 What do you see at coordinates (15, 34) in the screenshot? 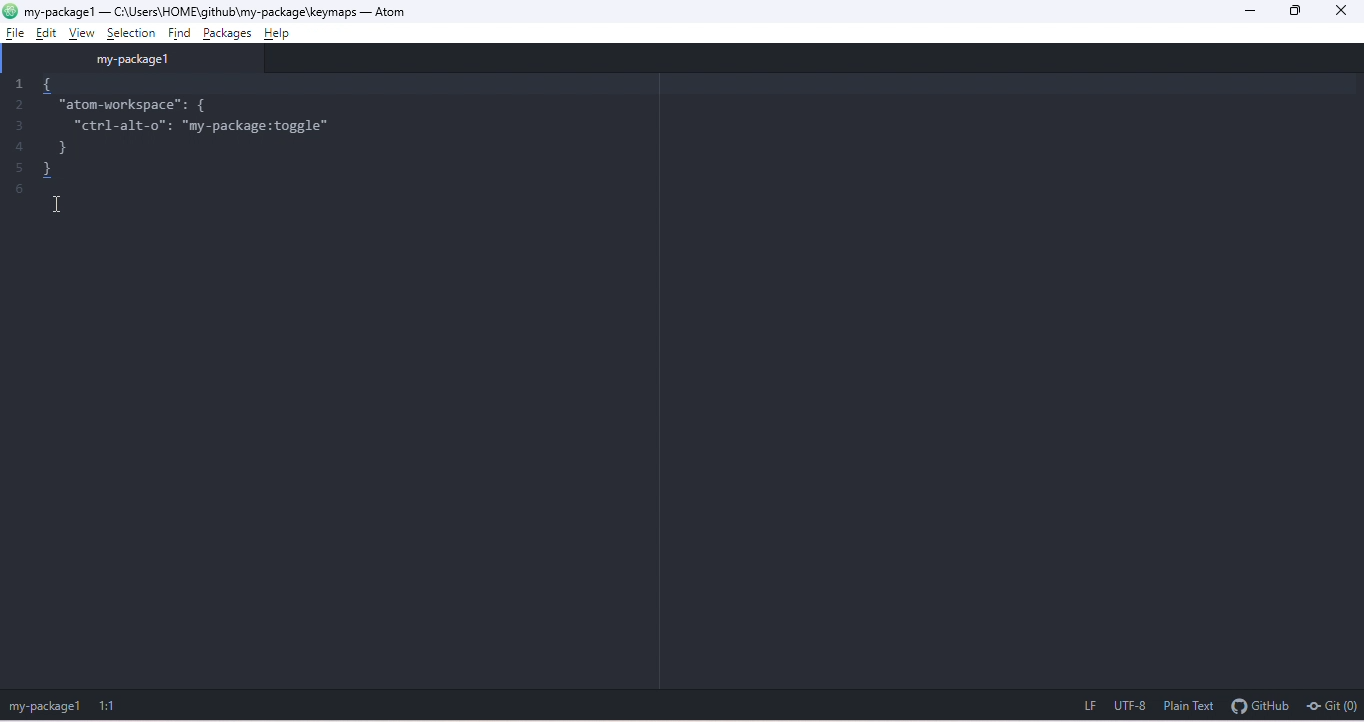
I see `file` at bounding box center [15, 34].